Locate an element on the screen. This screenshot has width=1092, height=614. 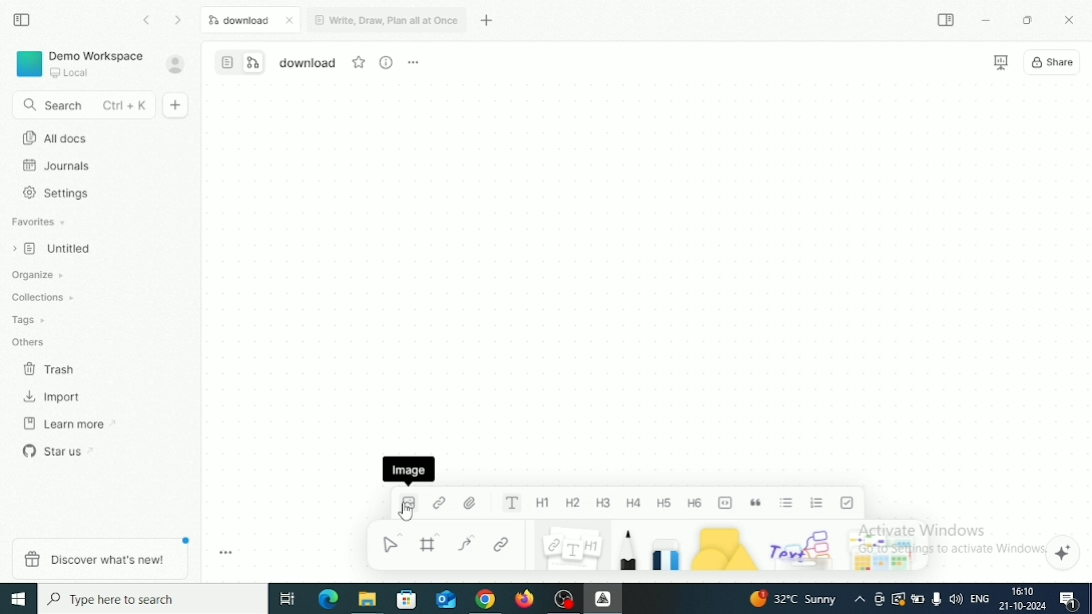
Toggle zoom tool bar is located at coordinates (226, 553).